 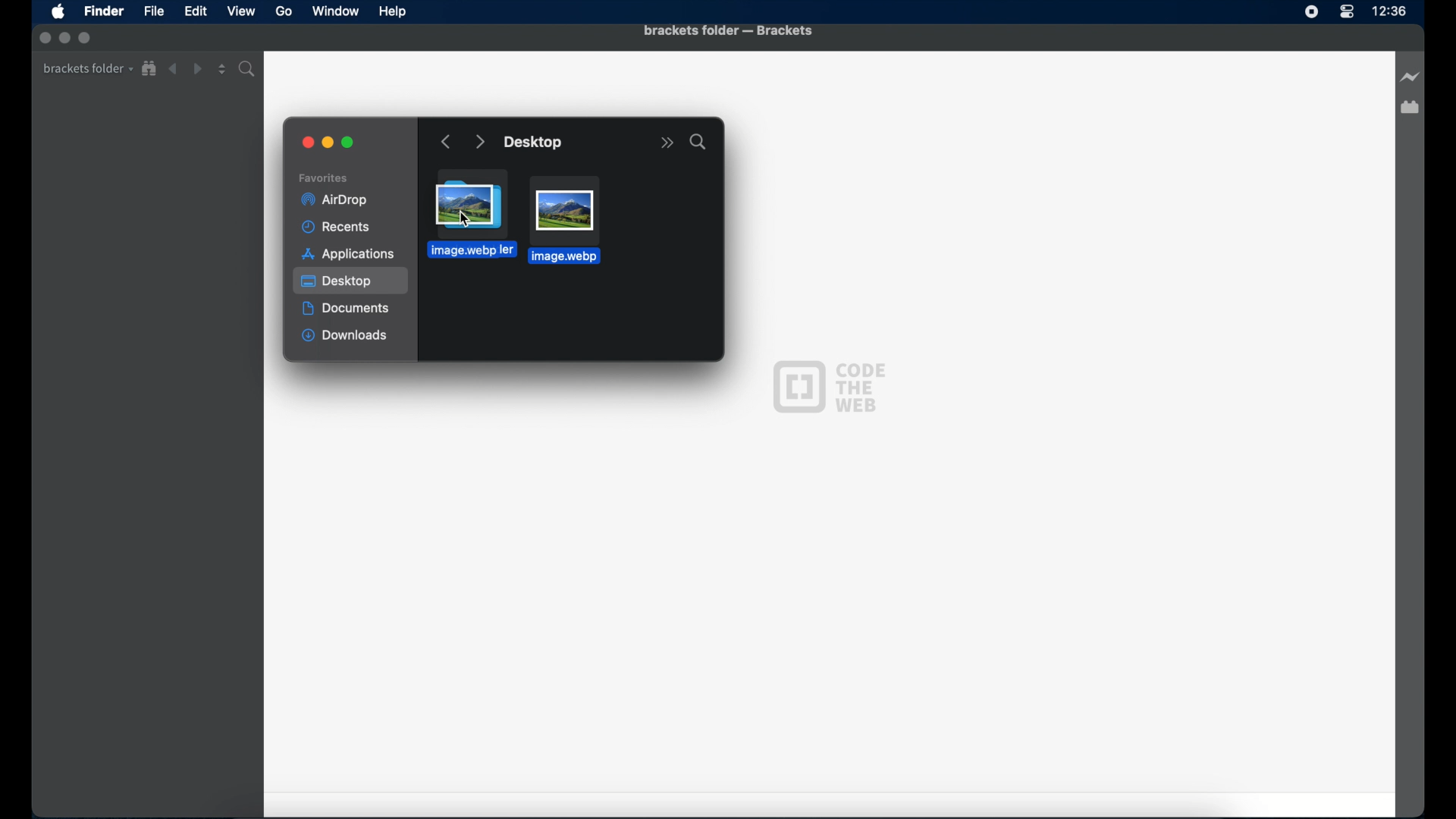 What do you see at coordinates (324, 178) in the screenshot?
I see `favorites` at bounding box center [324, 178].